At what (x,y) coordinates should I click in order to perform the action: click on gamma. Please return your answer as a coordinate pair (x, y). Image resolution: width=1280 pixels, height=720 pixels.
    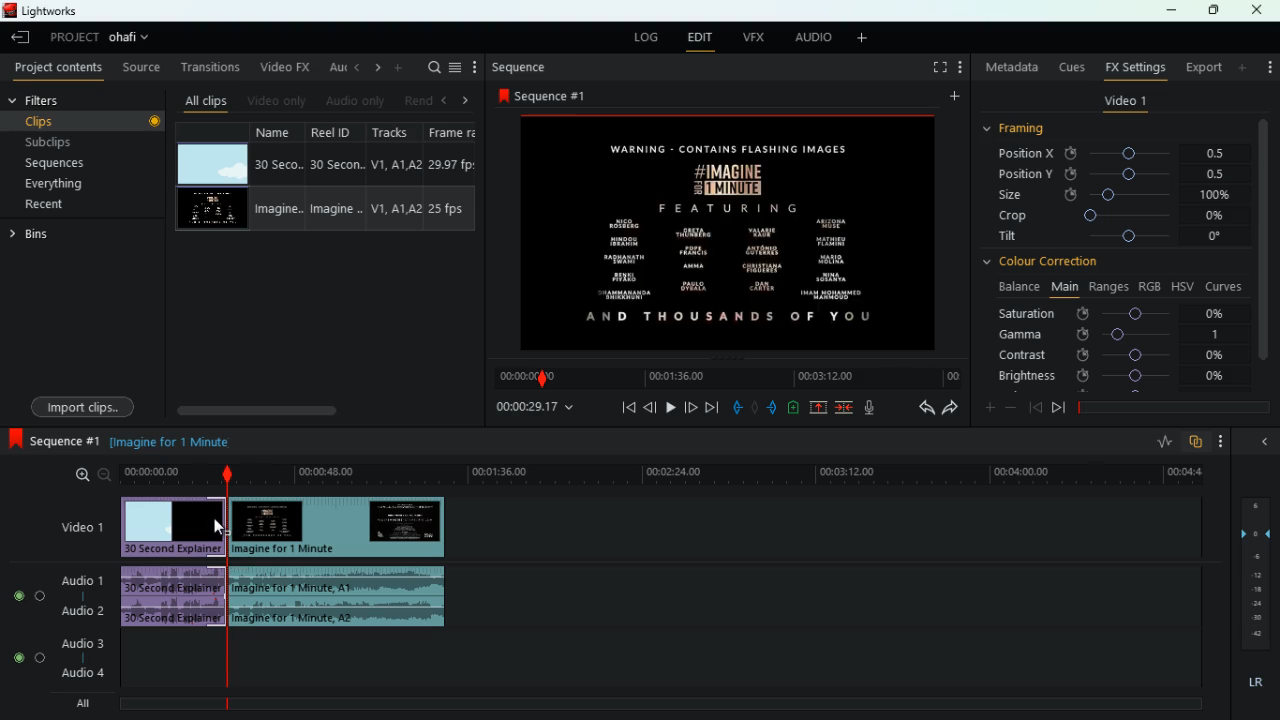
    Looking at the image, I should click on (1110, 334).